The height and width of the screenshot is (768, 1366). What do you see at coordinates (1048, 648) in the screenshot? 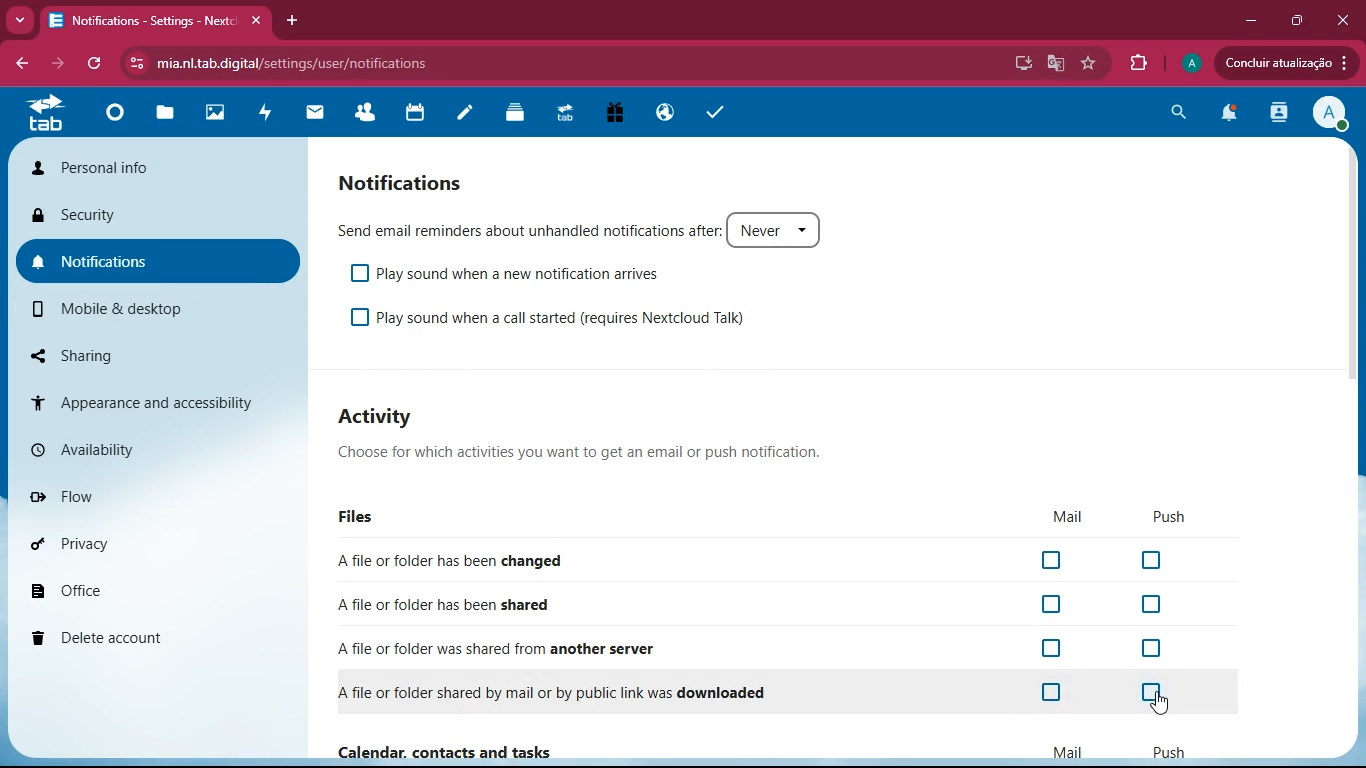
I see `off` at bounding box center [1048, 648].